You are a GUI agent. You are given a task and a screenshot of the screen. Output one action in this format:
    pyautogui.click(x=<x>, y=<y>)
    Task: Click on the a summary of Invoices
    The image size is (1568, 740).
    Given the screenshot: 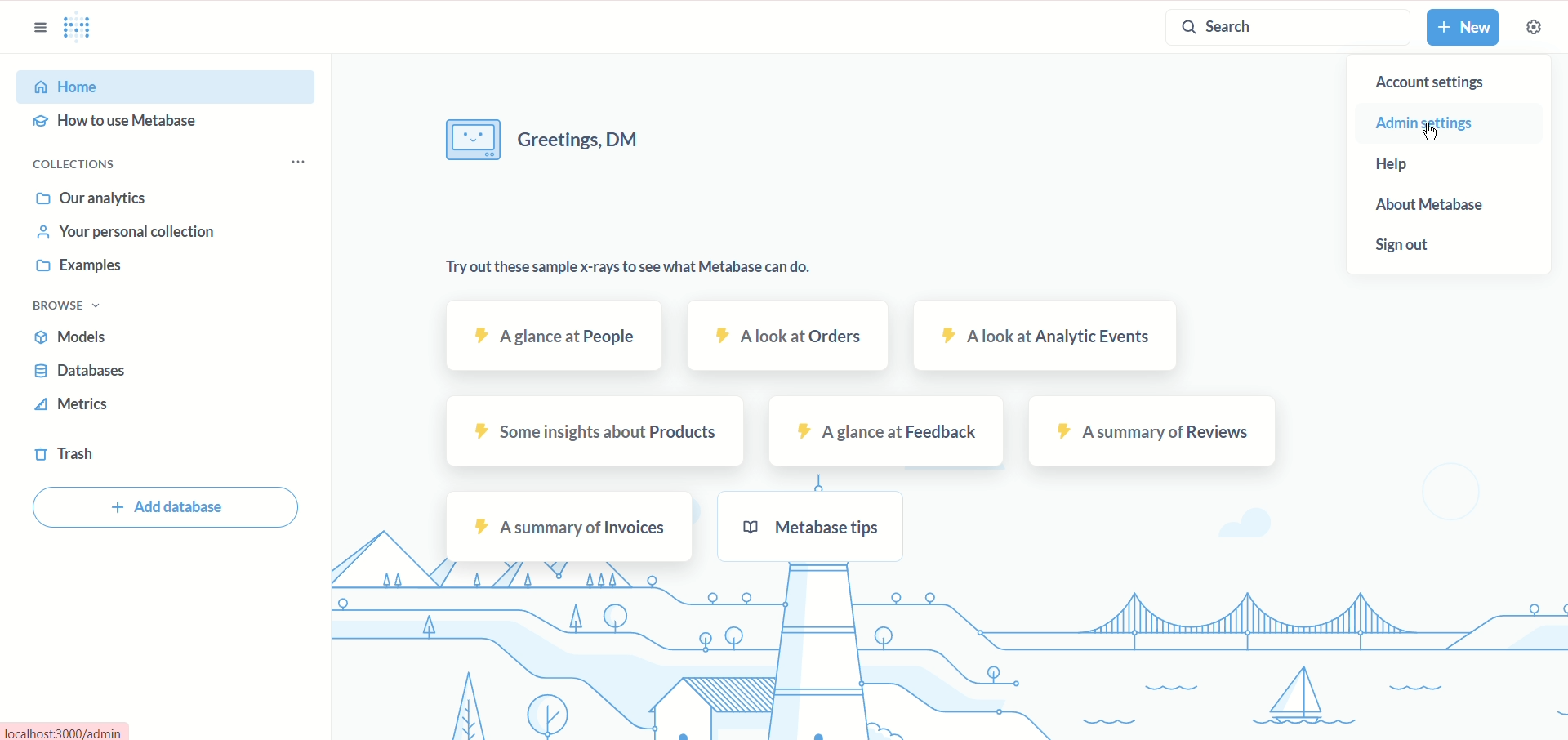 What is the action you would take?
    pyautogui.click(x=570, y=528)
    